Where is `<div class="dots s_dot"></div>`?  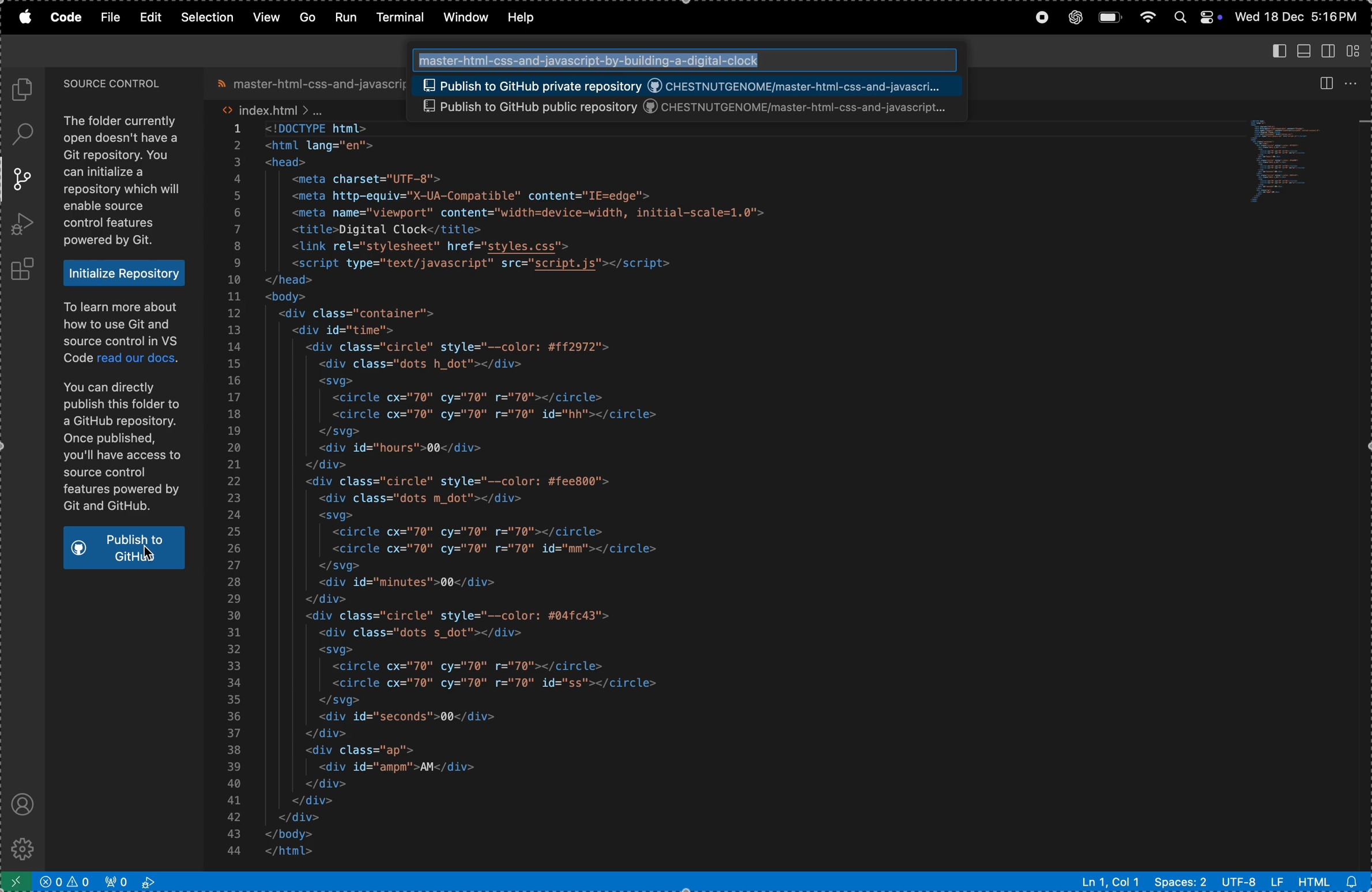 <div class="dots s_dot"></div> is located at coordinates (432, 633).